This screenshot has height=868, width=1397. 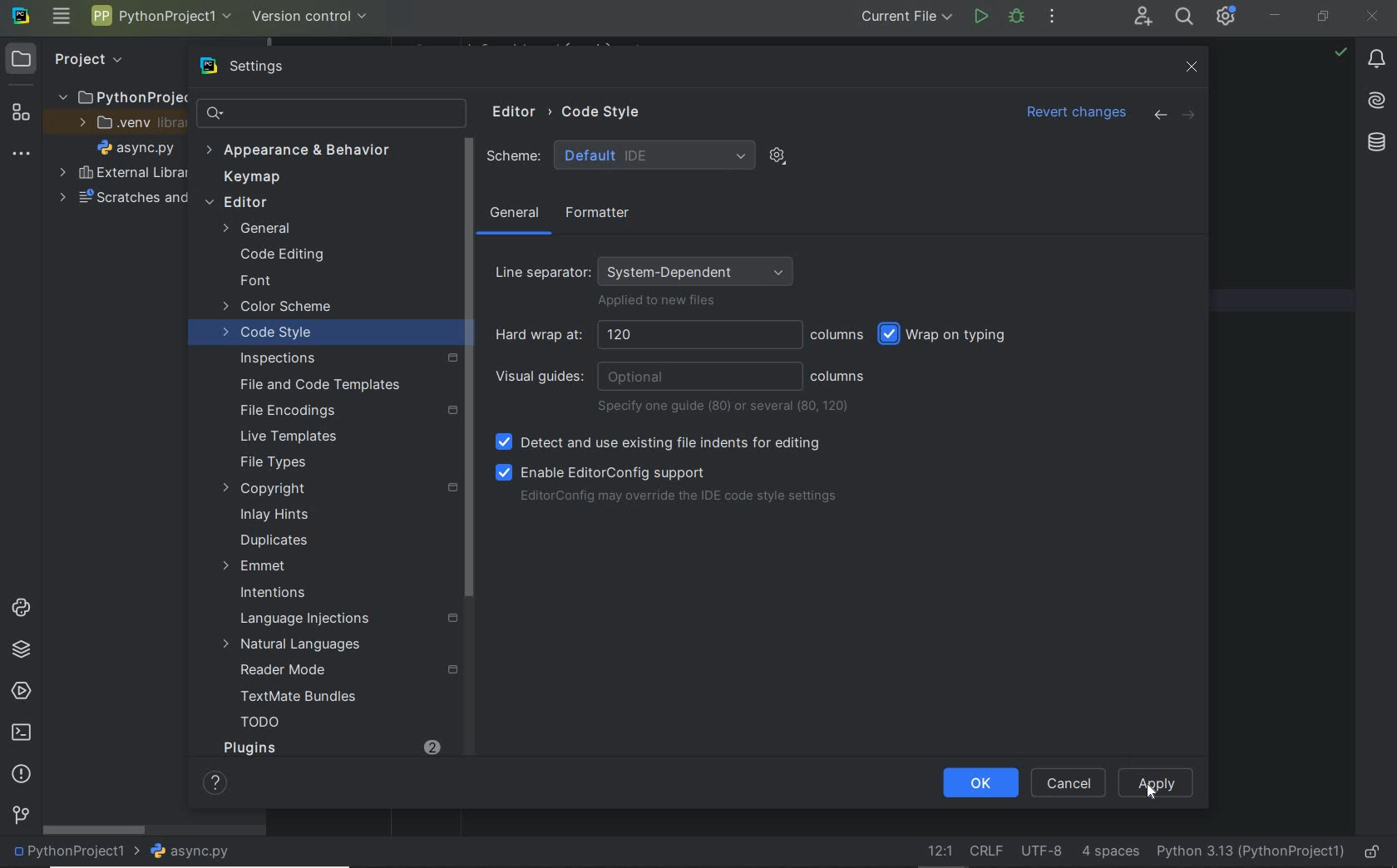 I want to click on color scheme, so click(x=279, y=308).